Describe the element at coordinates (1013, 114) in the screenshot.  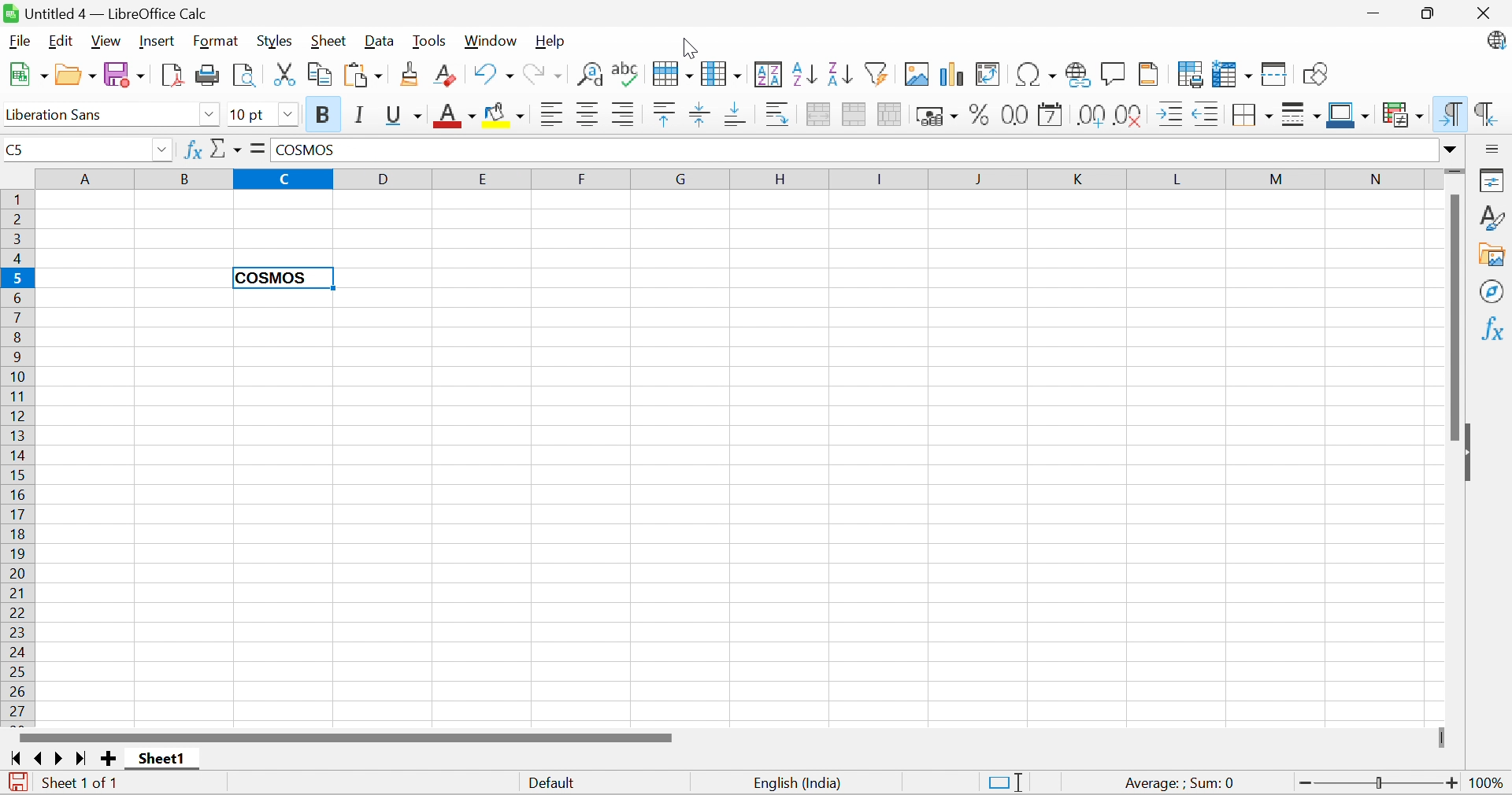
I see `Format as Number` at that location.